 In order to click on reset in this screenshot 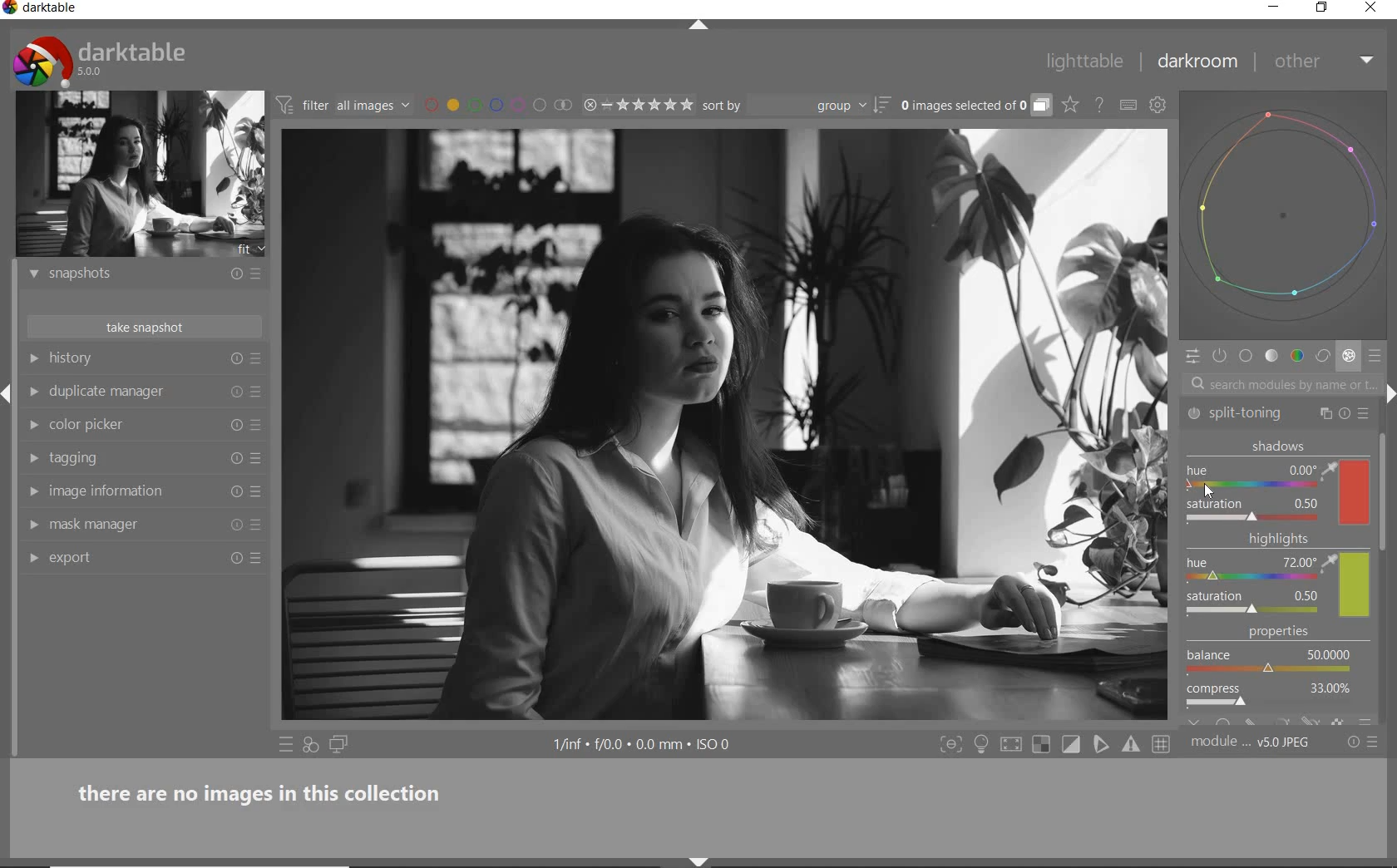, I will do `click(236, 423)`.